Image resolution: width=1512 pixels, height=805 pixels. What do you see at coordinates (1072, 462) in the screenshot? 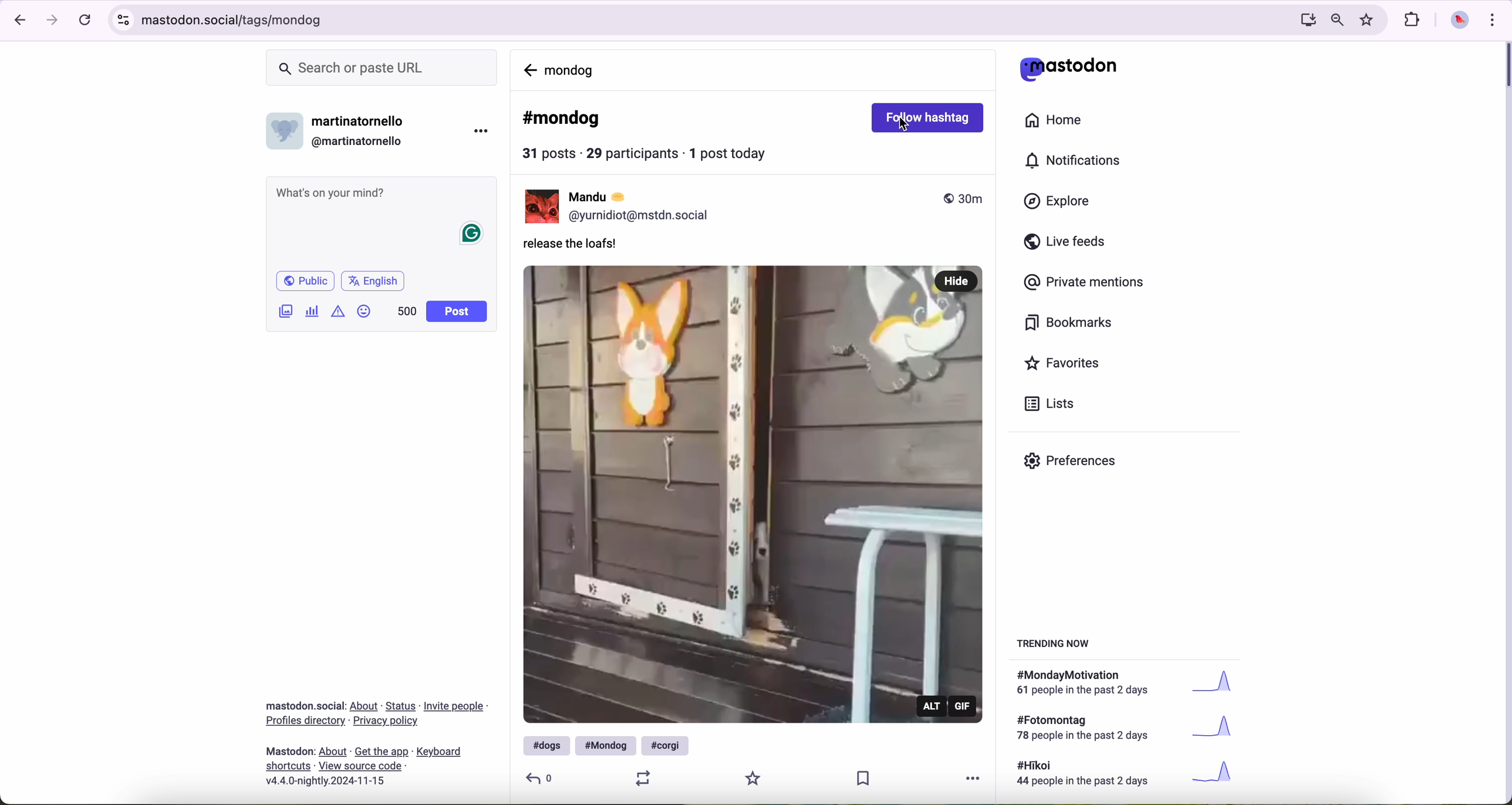
I see `preferences` at bounding box center [1072, 462].